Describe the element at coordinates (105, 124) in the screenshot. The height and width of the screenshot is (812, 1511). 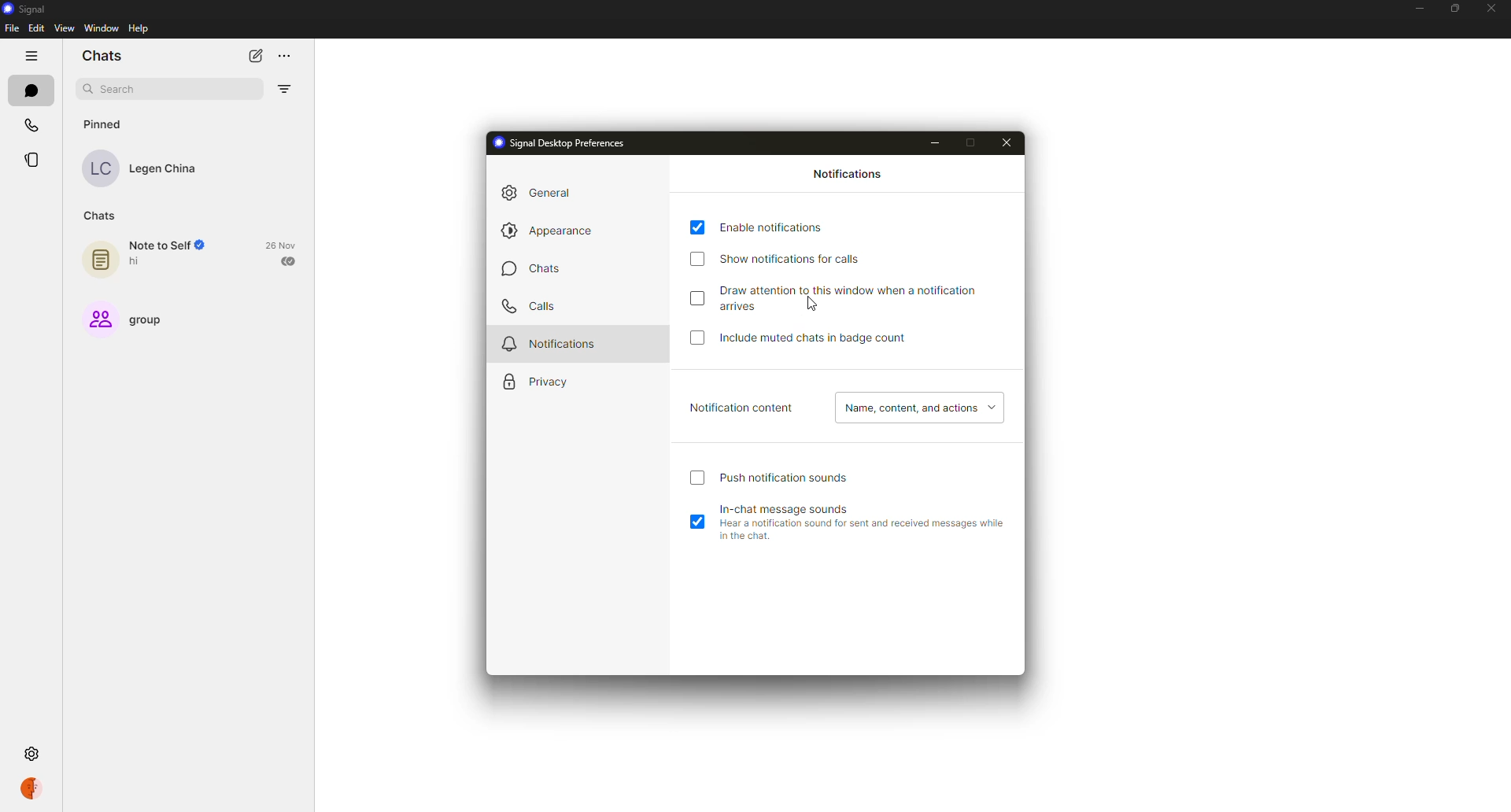
I see `pinned` at that location.